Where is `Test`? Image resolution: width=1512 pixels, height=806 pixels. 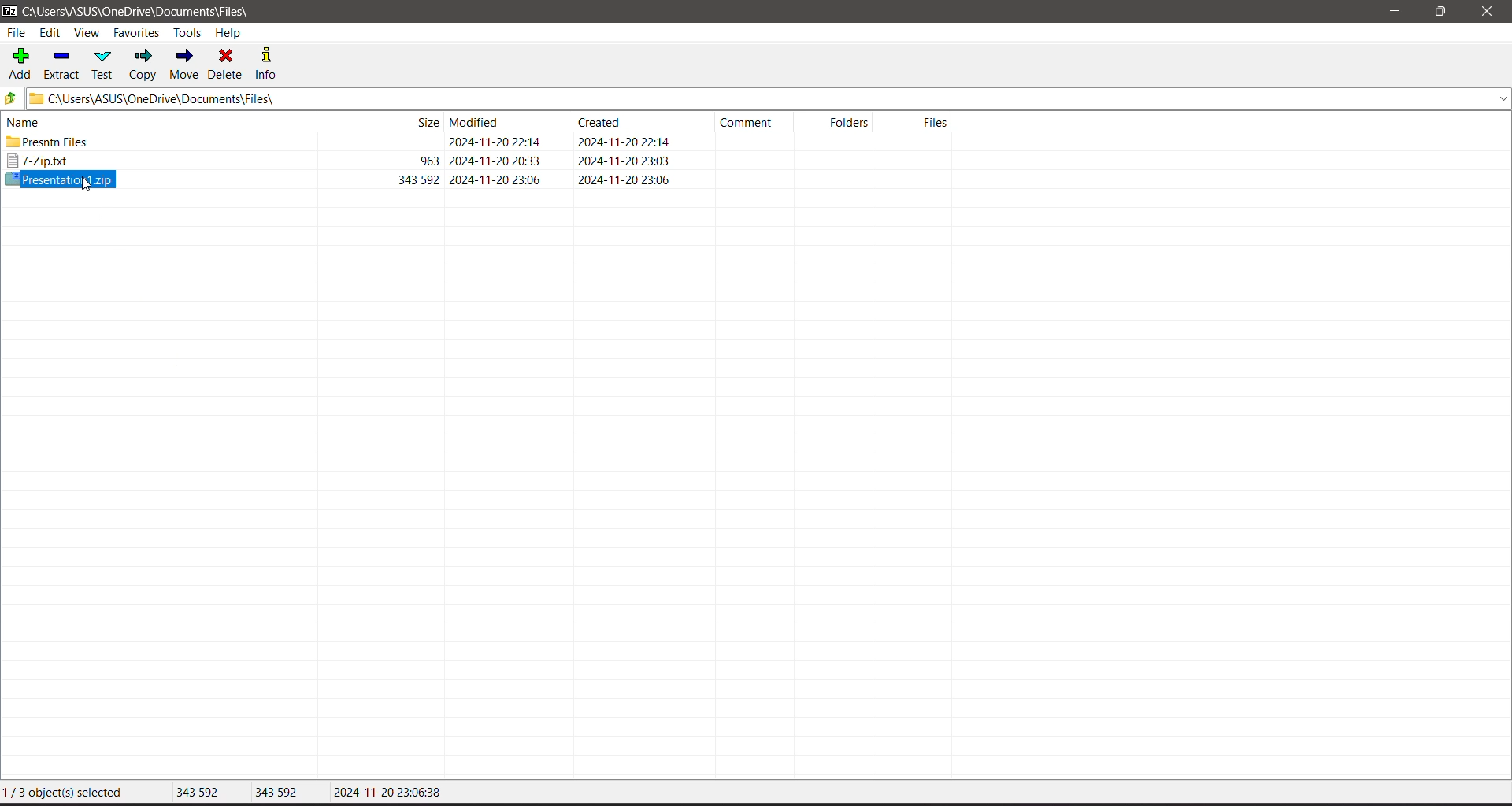 Test is located at coordinates (105, 64).